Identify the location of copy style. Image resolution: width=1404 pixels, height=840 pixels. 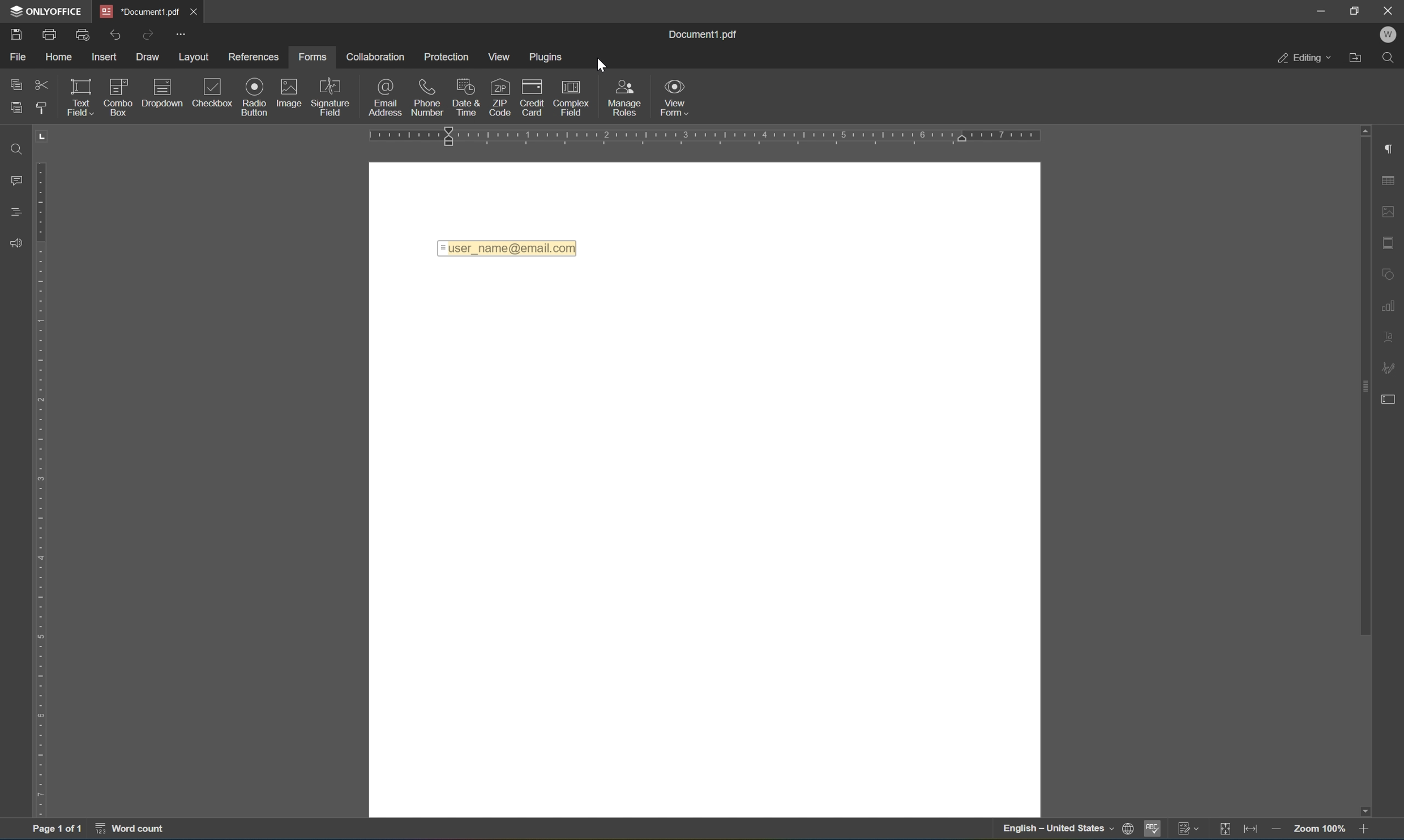
(43, 109).